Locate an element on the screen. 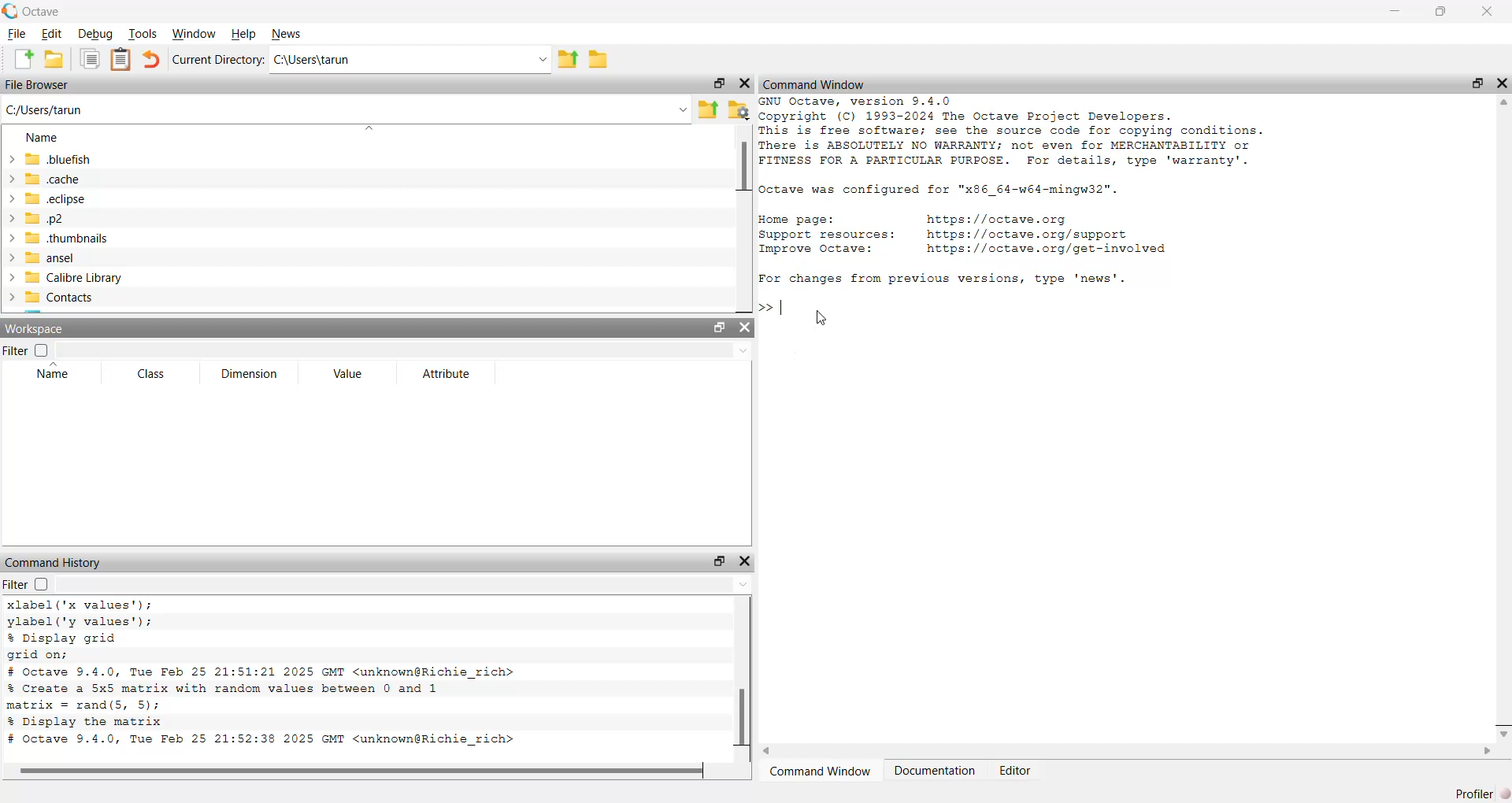  Help is located at coordinates (243, 32).